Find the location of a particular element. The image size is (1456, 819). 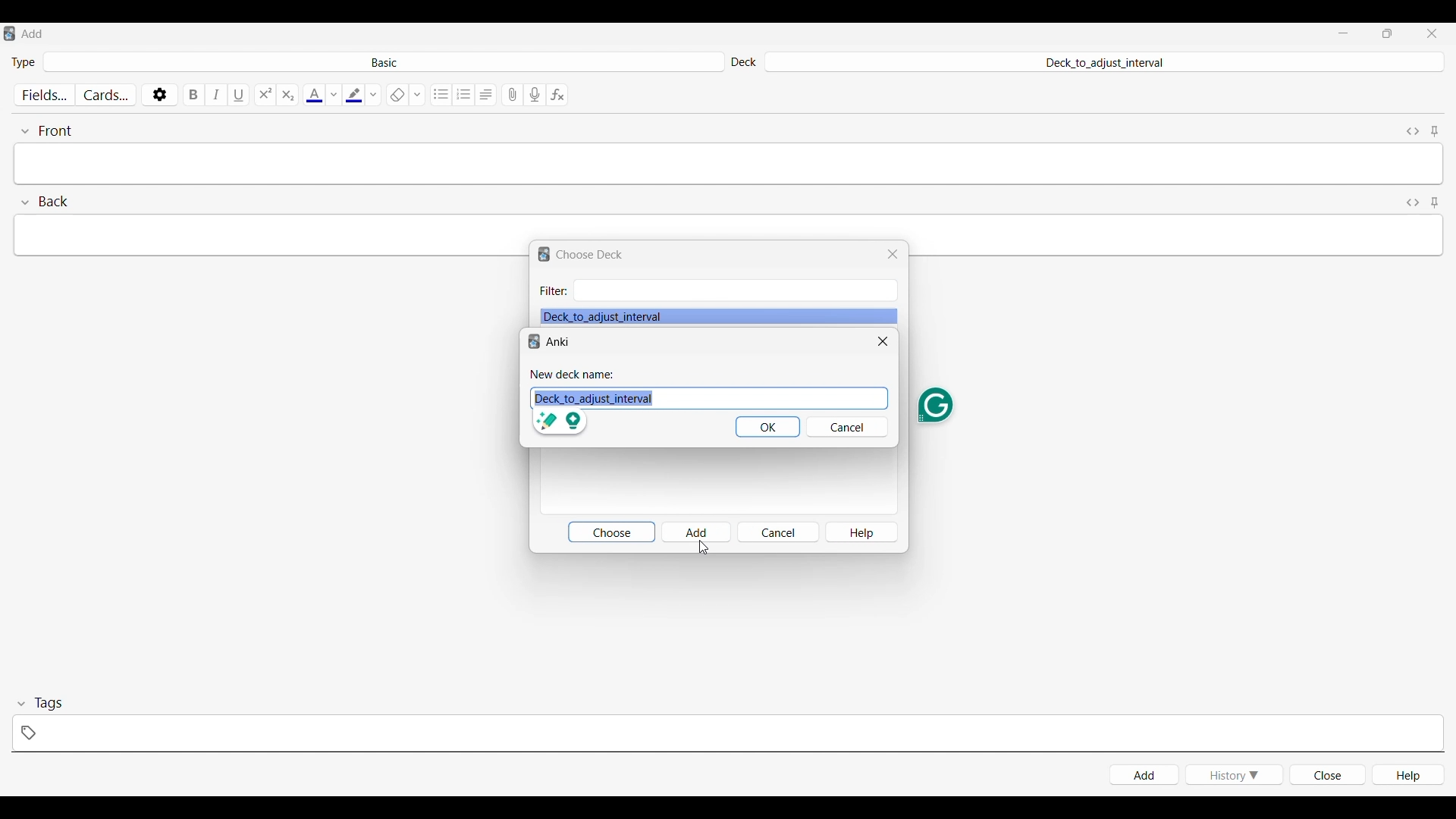

Help is located at coordinates (862, 532).